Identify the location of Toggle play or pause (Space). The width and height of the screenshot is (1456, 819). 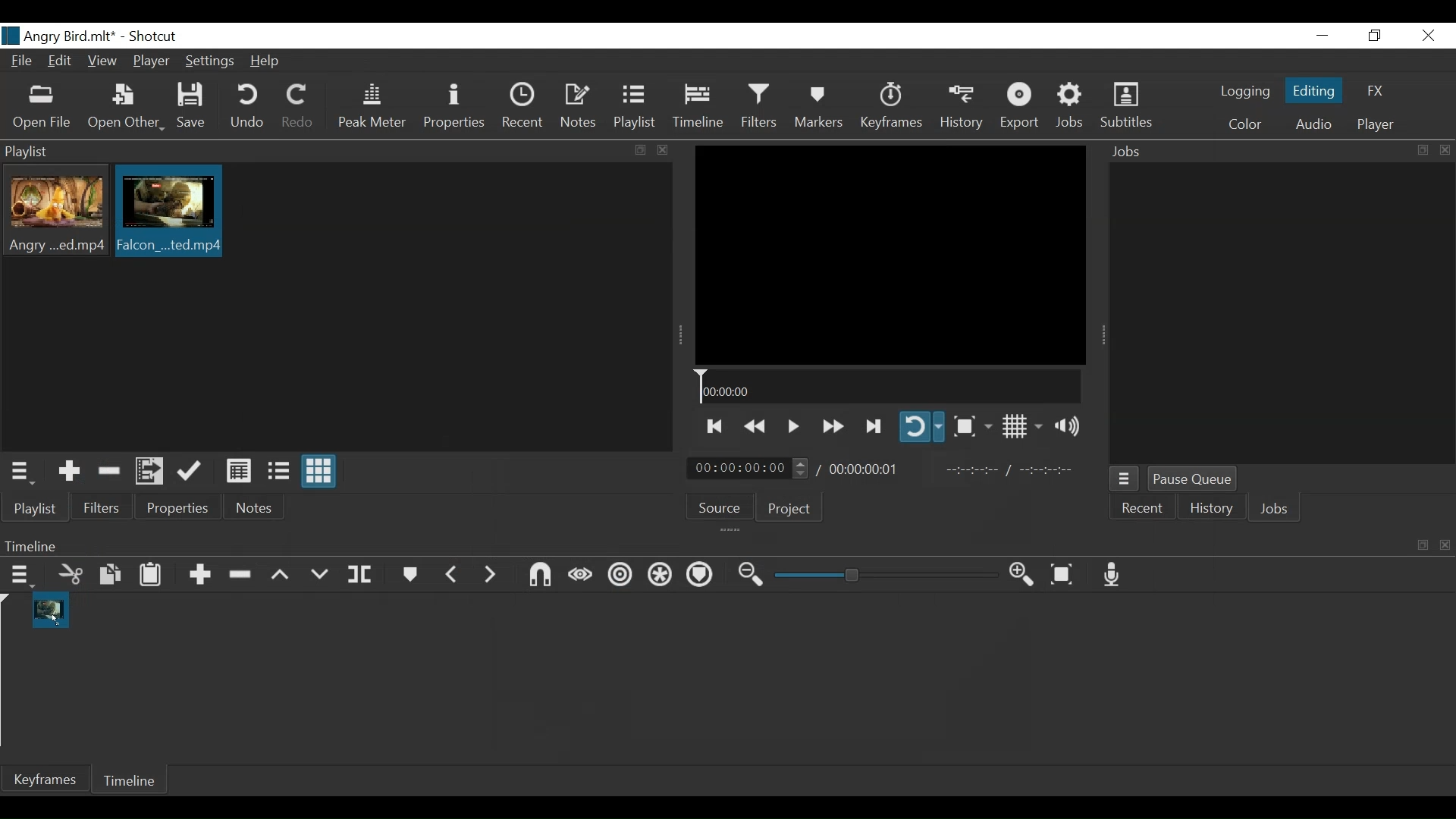
(791, 428).